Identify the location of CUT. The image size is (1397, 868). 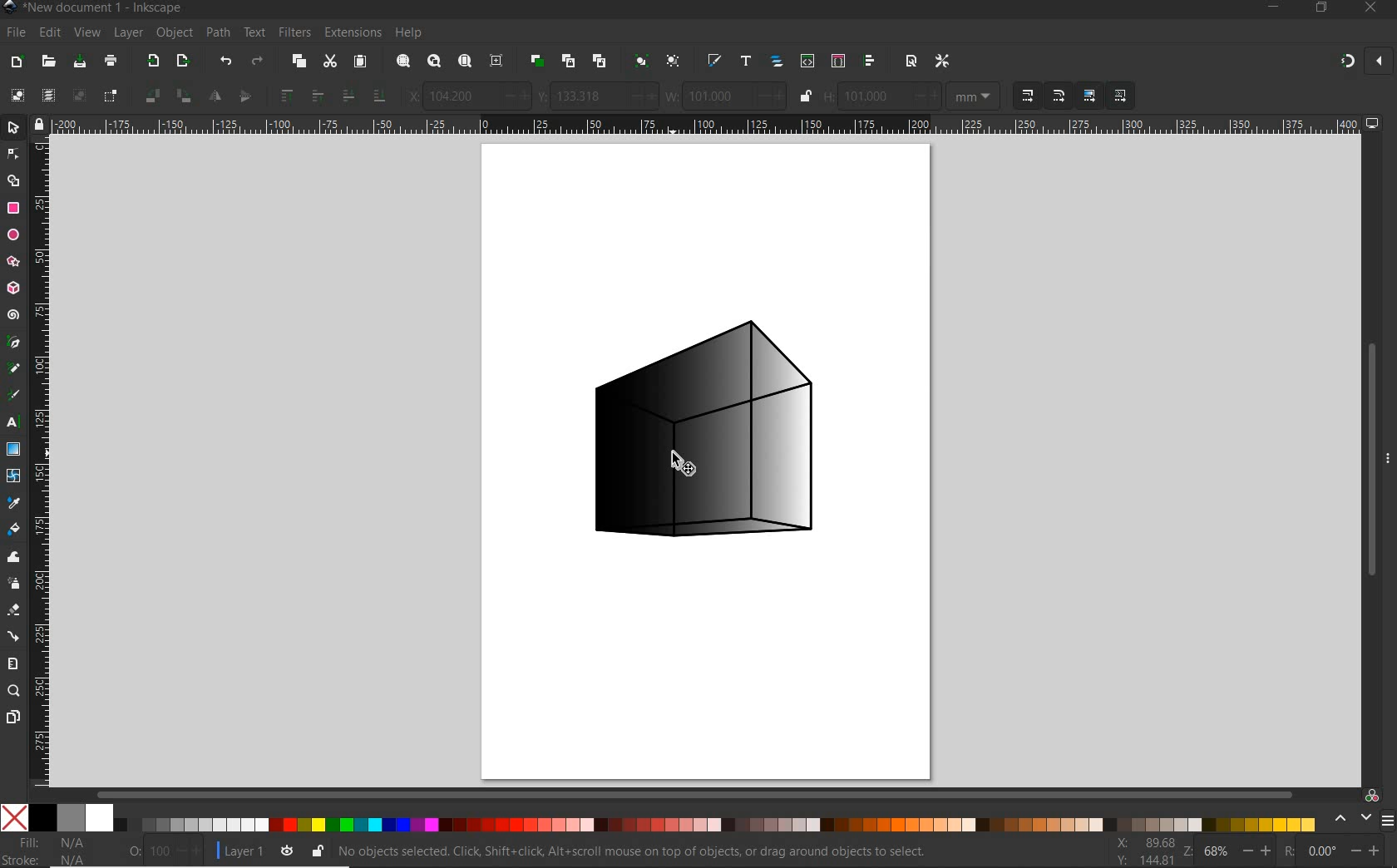
(330, 62).